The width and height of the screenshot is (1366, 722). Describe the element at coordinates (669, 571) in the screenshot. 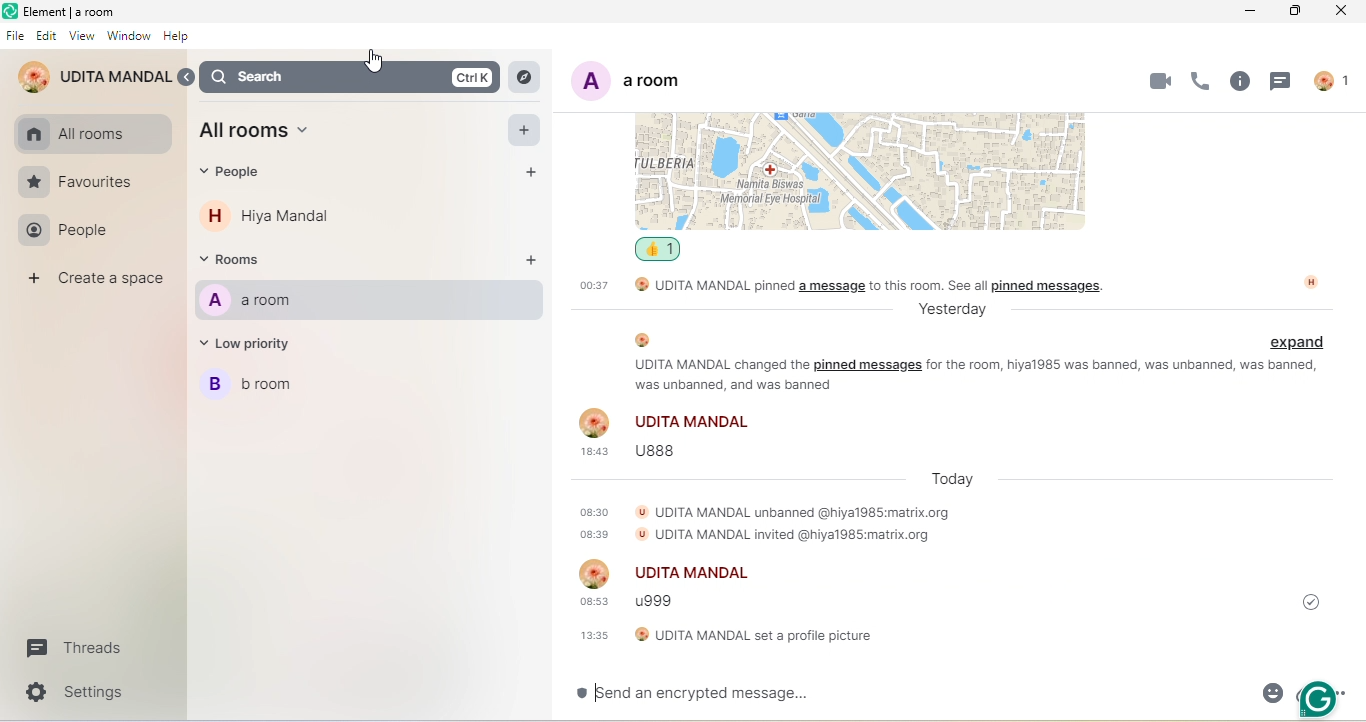

I see `UDITA MANDAL` at that location.